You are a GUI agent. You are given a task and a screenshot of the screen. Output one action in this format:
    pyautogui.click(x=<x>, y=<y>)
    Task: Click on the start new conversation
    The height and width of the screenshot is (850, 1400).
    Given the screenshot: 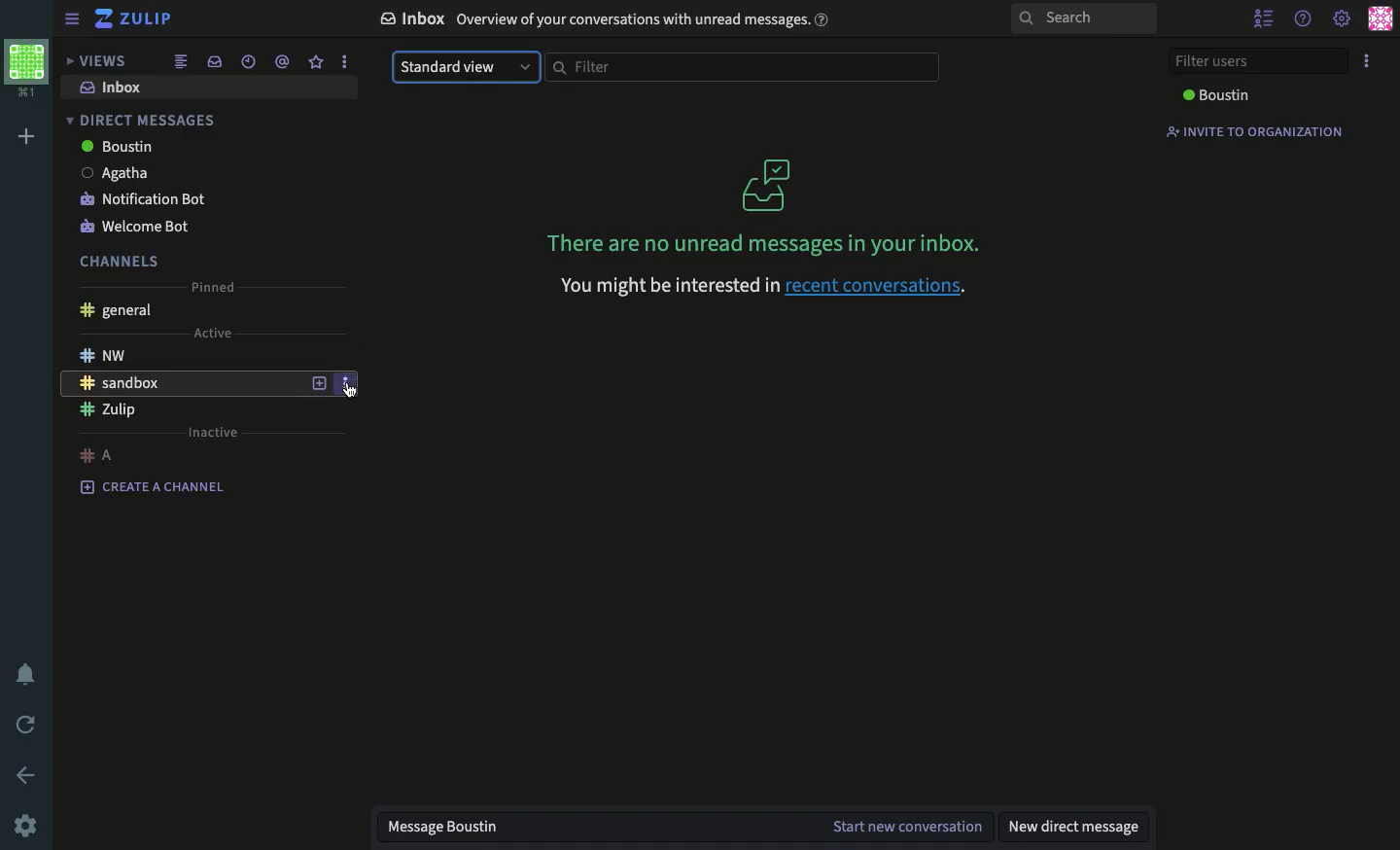 What is the action you would take?
    pyautogui.click(x=908, y=827)
    